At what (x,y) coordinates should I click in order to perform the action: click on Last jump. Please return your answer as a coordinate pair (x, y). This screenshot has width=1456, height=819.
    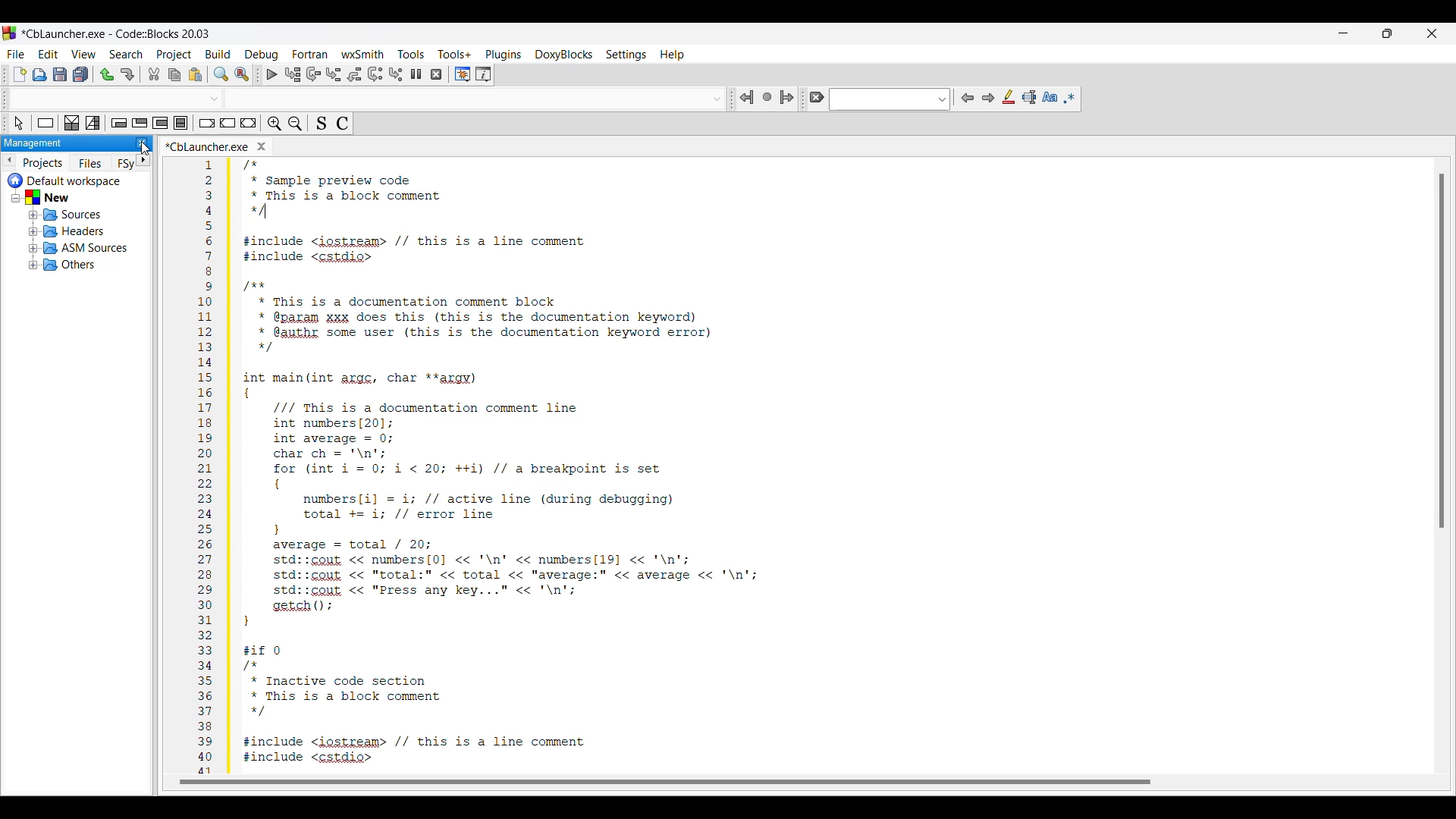
    Looking at the image, I should click on (767, 97).